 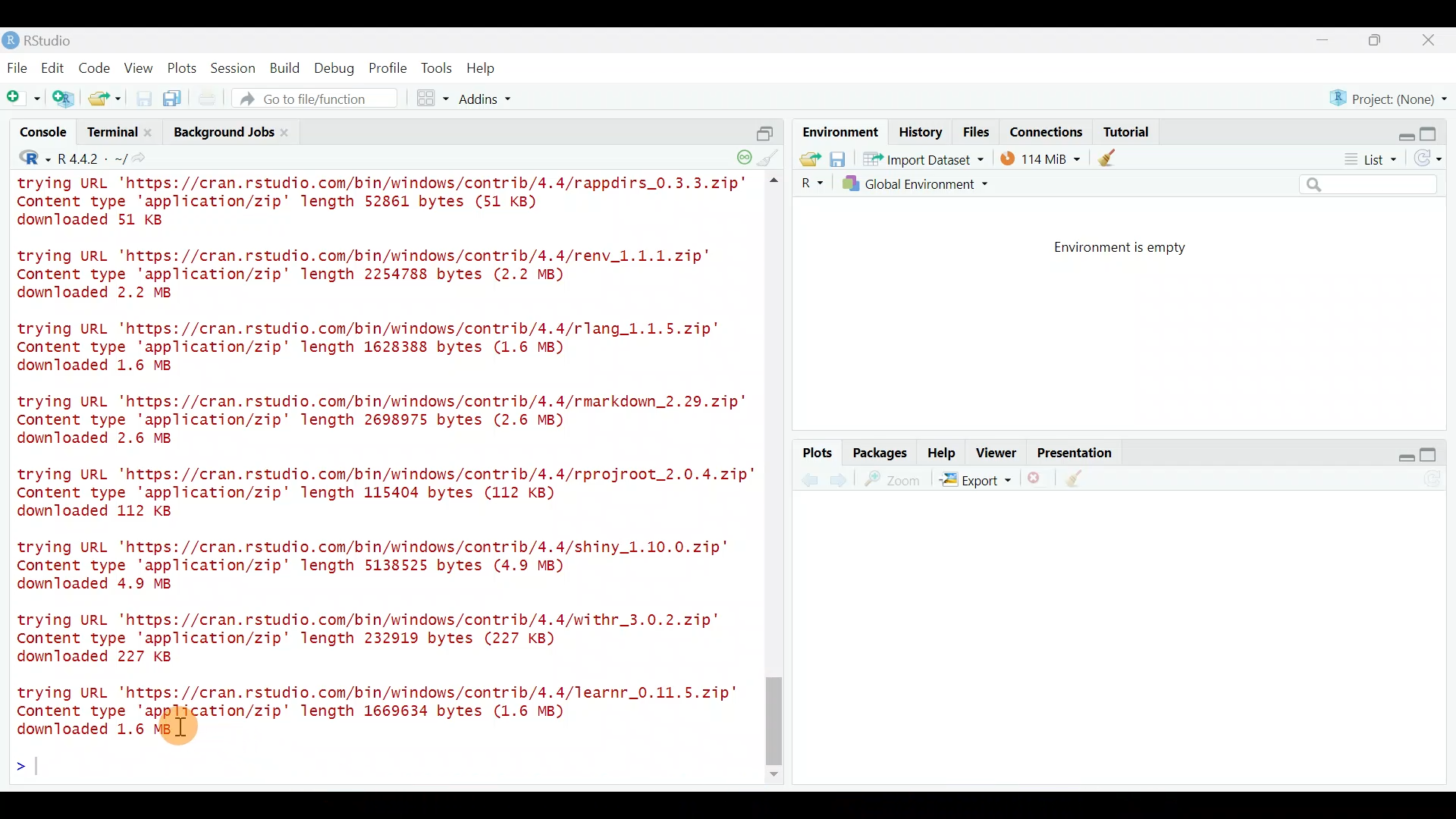 What do you see at coordinates (927, 184) in the screenshot?
I see `Global Environment` at bounding box center [927, 184].